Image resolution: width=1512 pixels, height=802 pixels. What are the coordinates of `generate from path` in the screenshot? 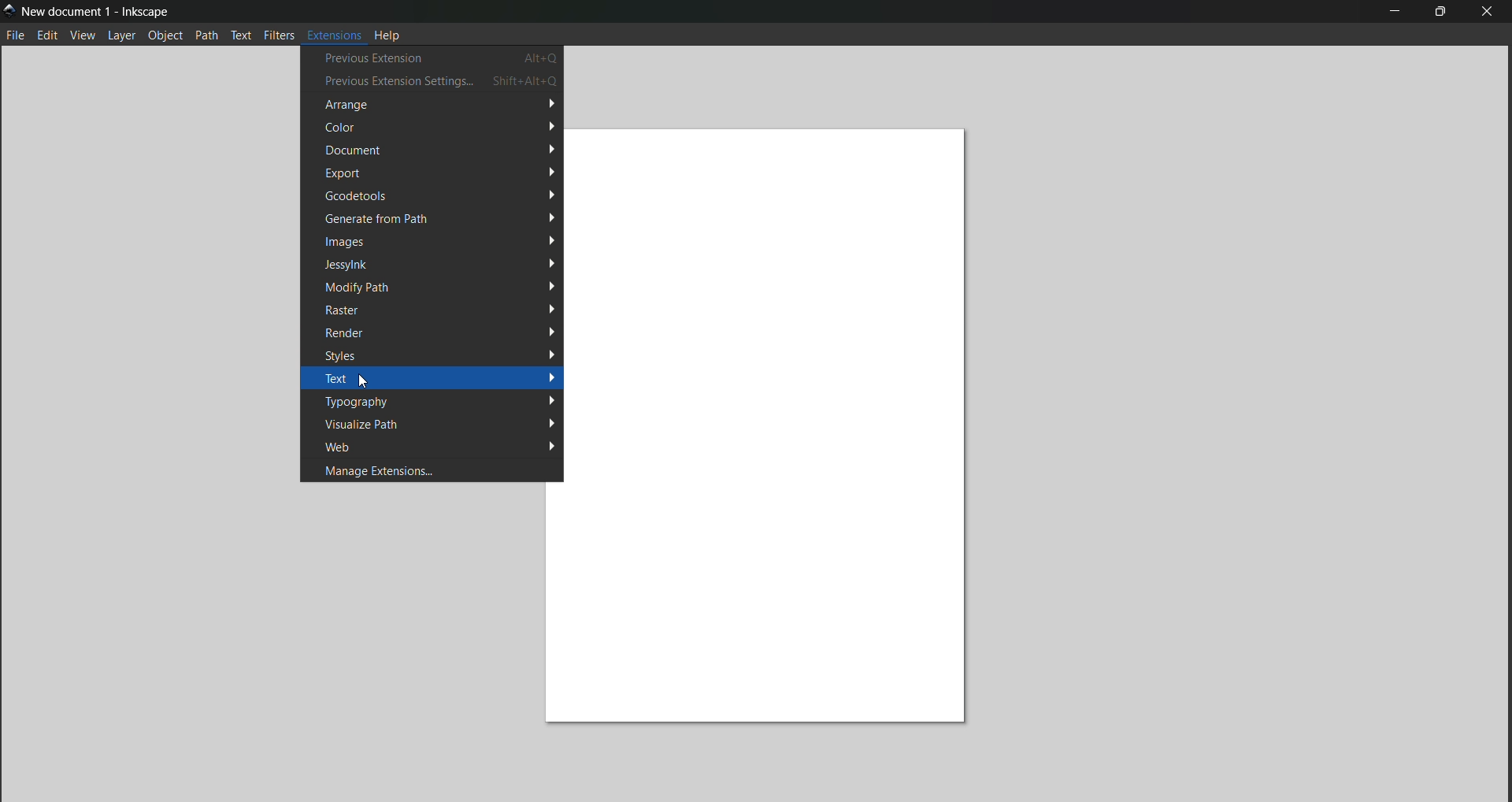 It's located at (431, 218).